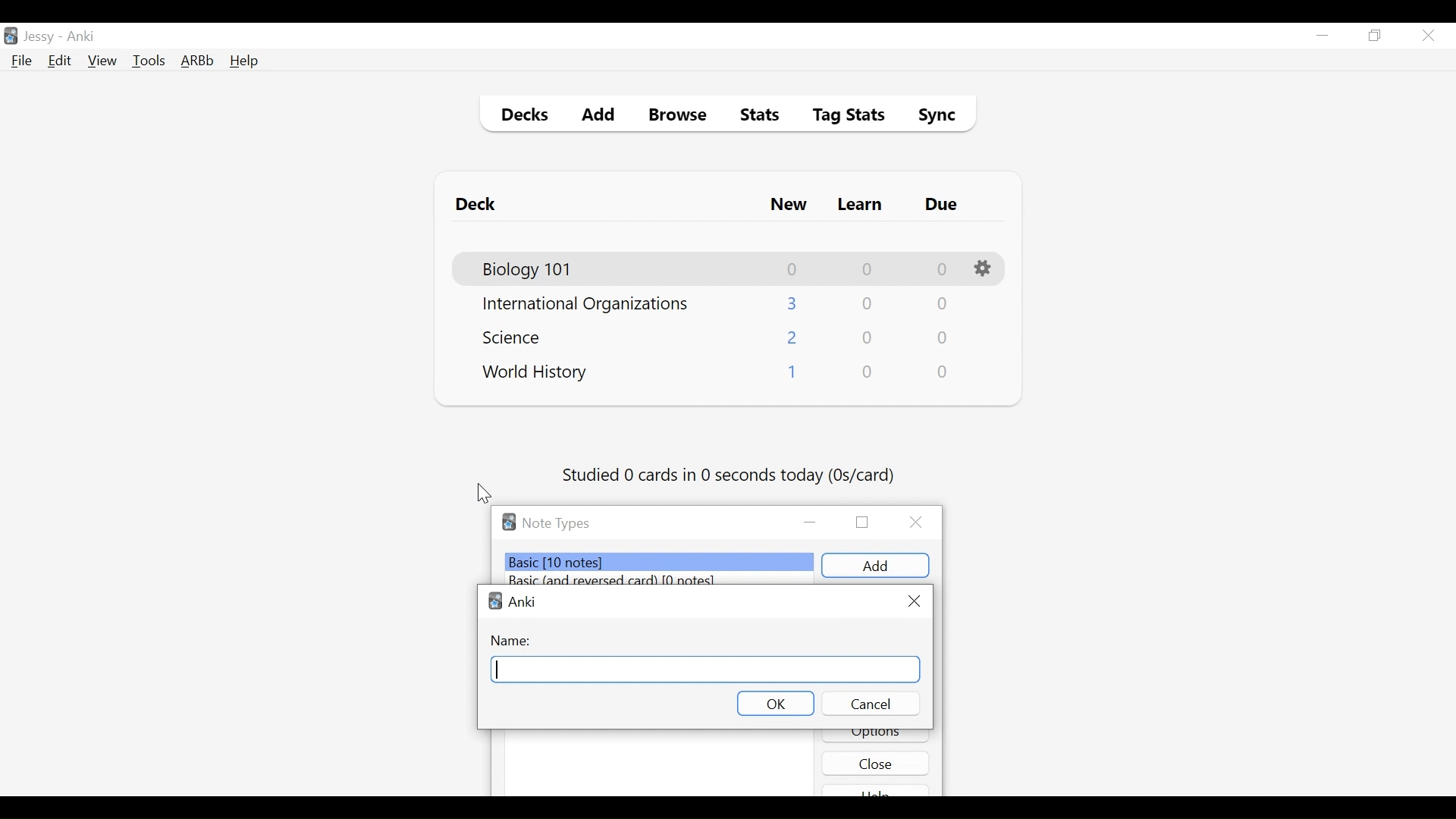 The image size is (1456, 819). I want to click on Decks, so click(521, 117).